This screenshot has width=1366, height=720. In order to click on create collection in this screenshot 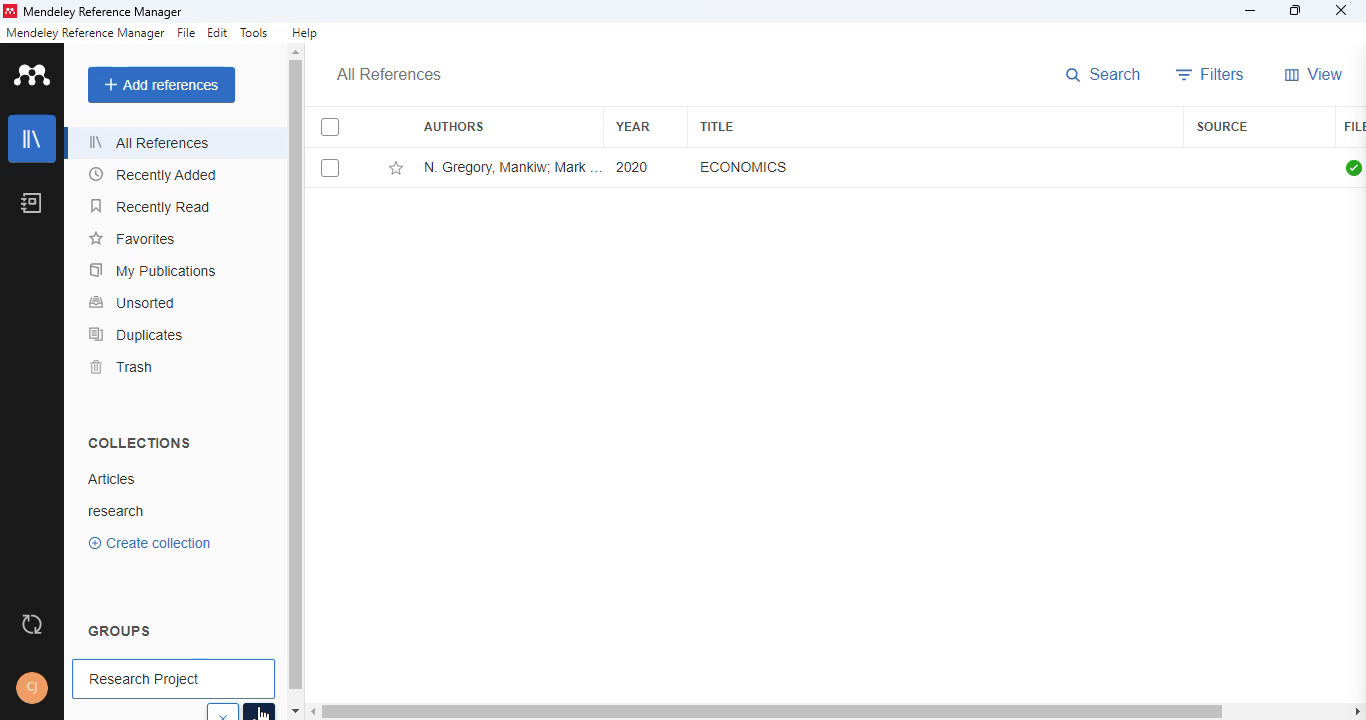, I will do `click(151, 543)`.